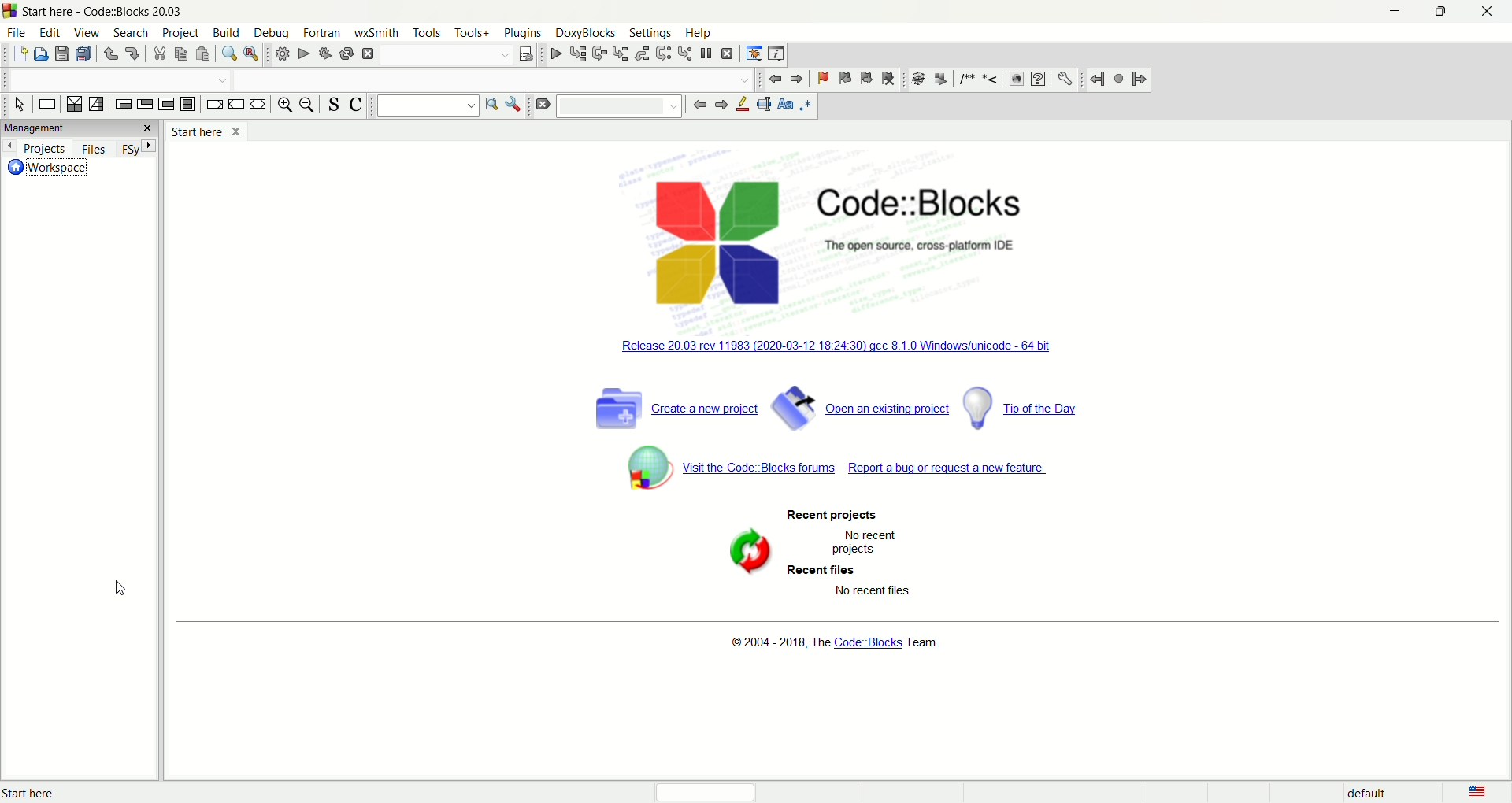 The width and height of the screenshot is (1512, 803). I want to click on team, so click(923, 642).